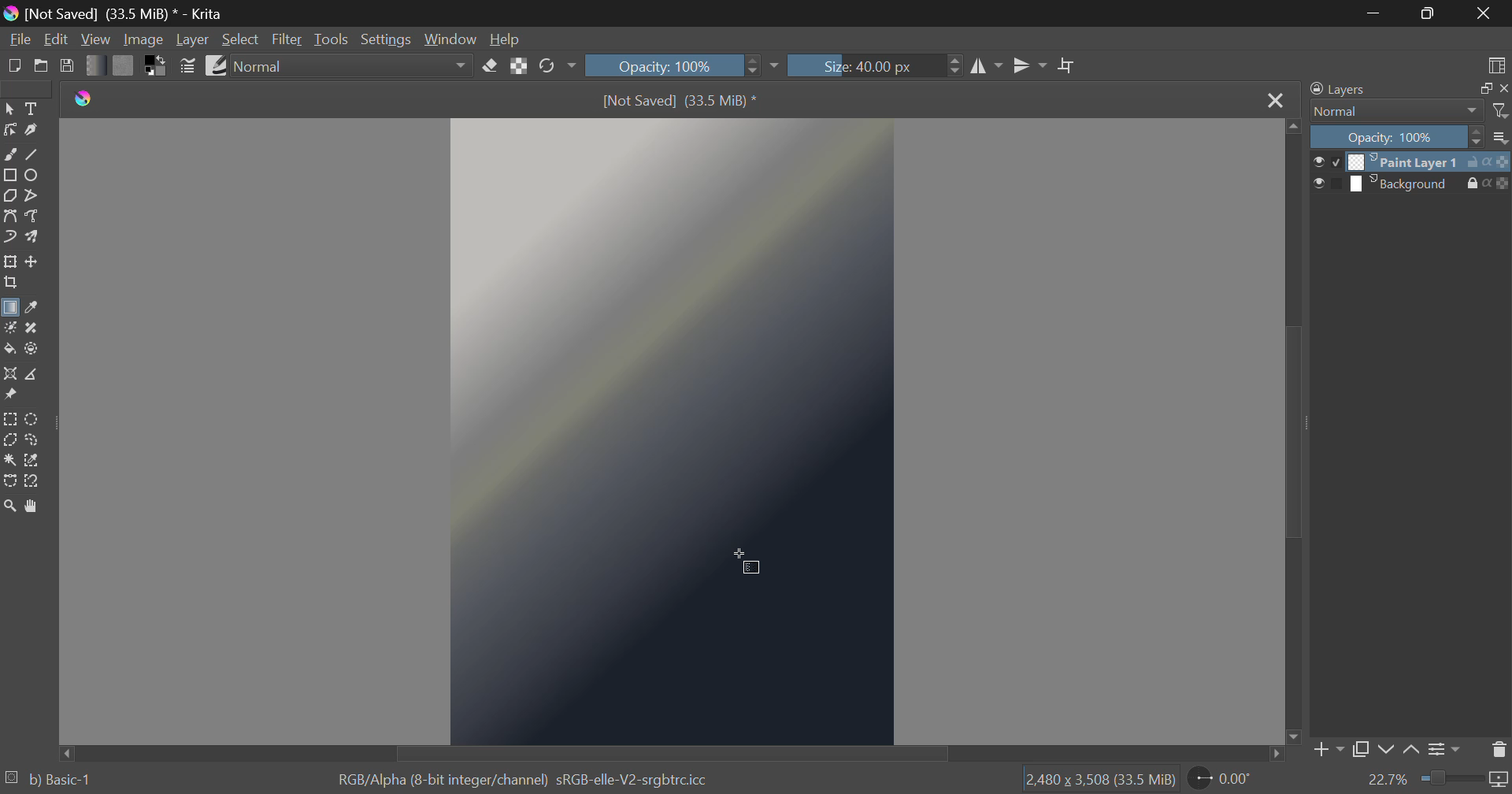 This screenshot has width=1512, height=794. What do you see at coordinates (57, 39) in the screenshot?
I see `Edit` at bounding box center [57, 39].